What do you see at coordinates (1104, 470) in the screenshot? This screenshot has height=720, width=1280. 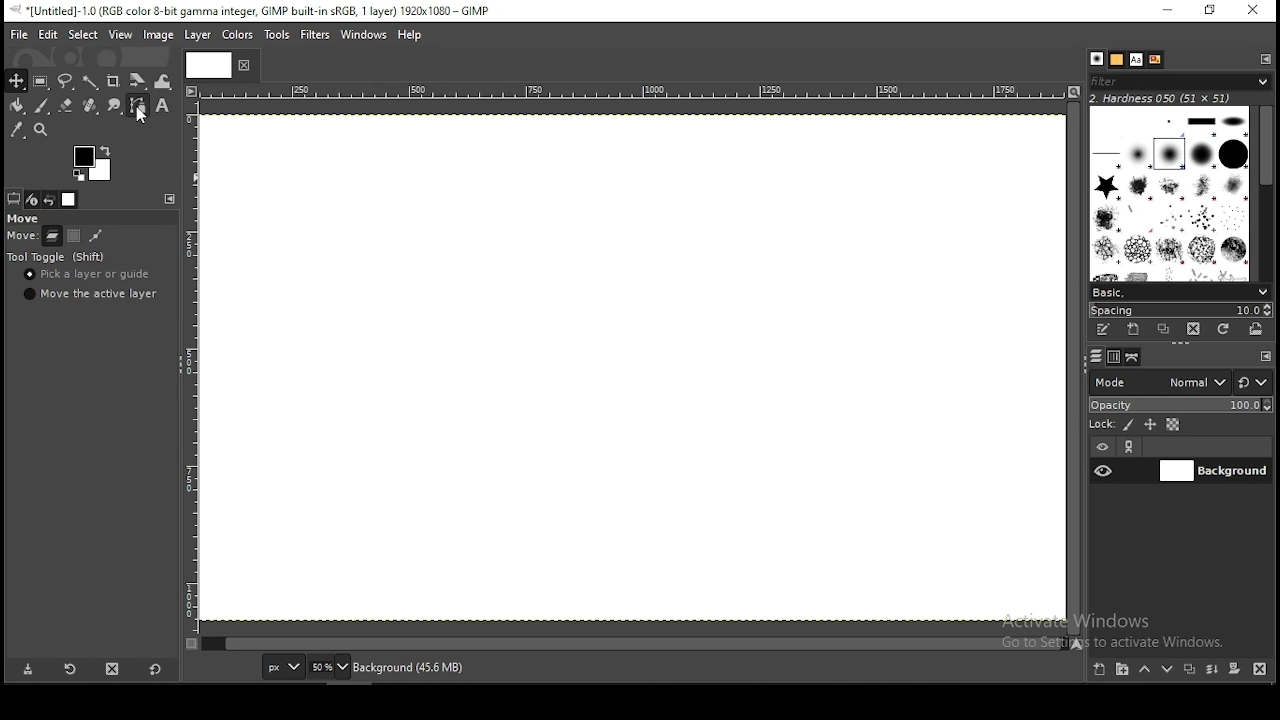 I see `layer visibility on/off` at bounding box center [1104, 470].